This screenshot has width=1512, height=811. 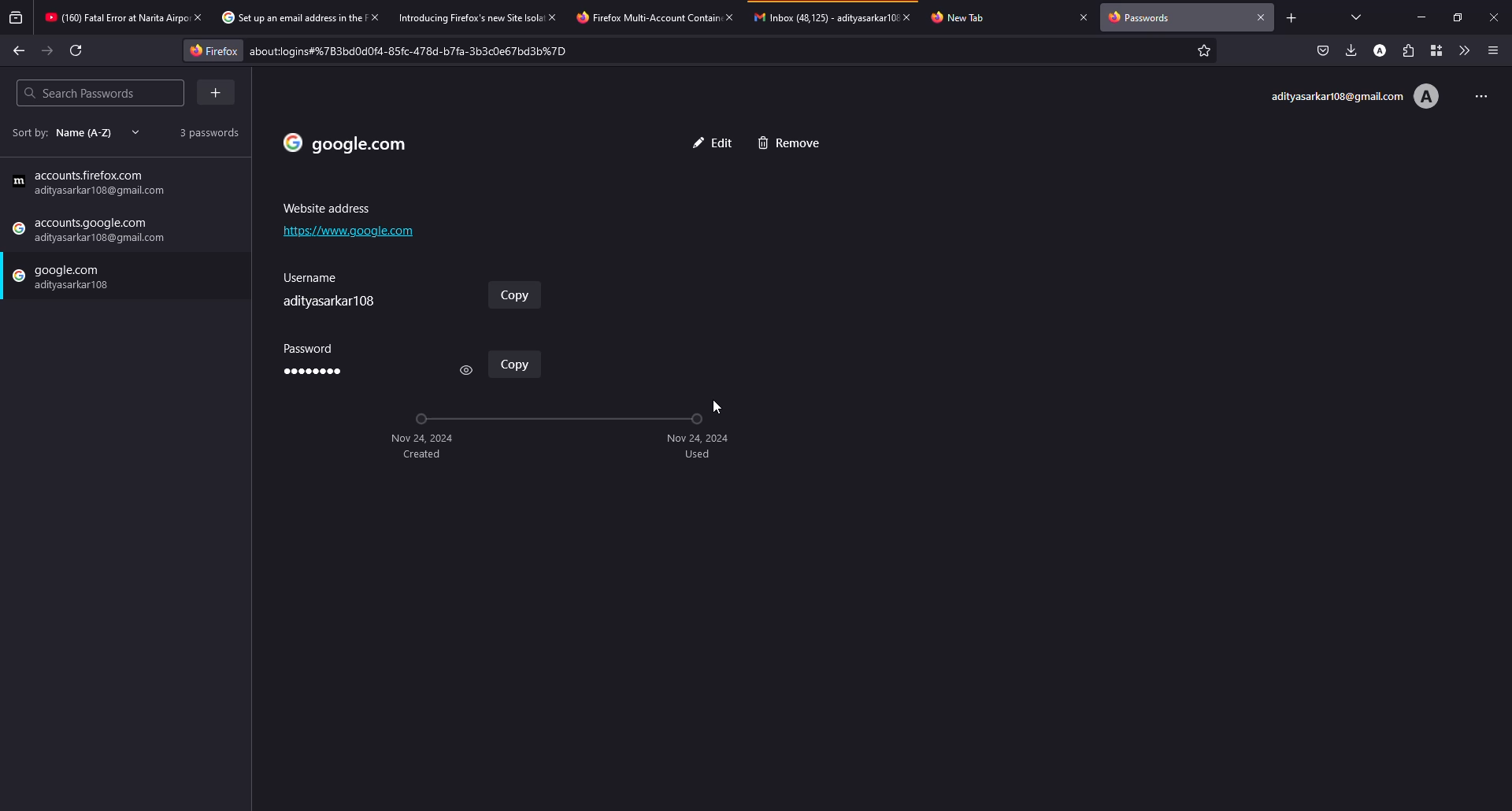 I want to click on search, so click(x=79, y=93).